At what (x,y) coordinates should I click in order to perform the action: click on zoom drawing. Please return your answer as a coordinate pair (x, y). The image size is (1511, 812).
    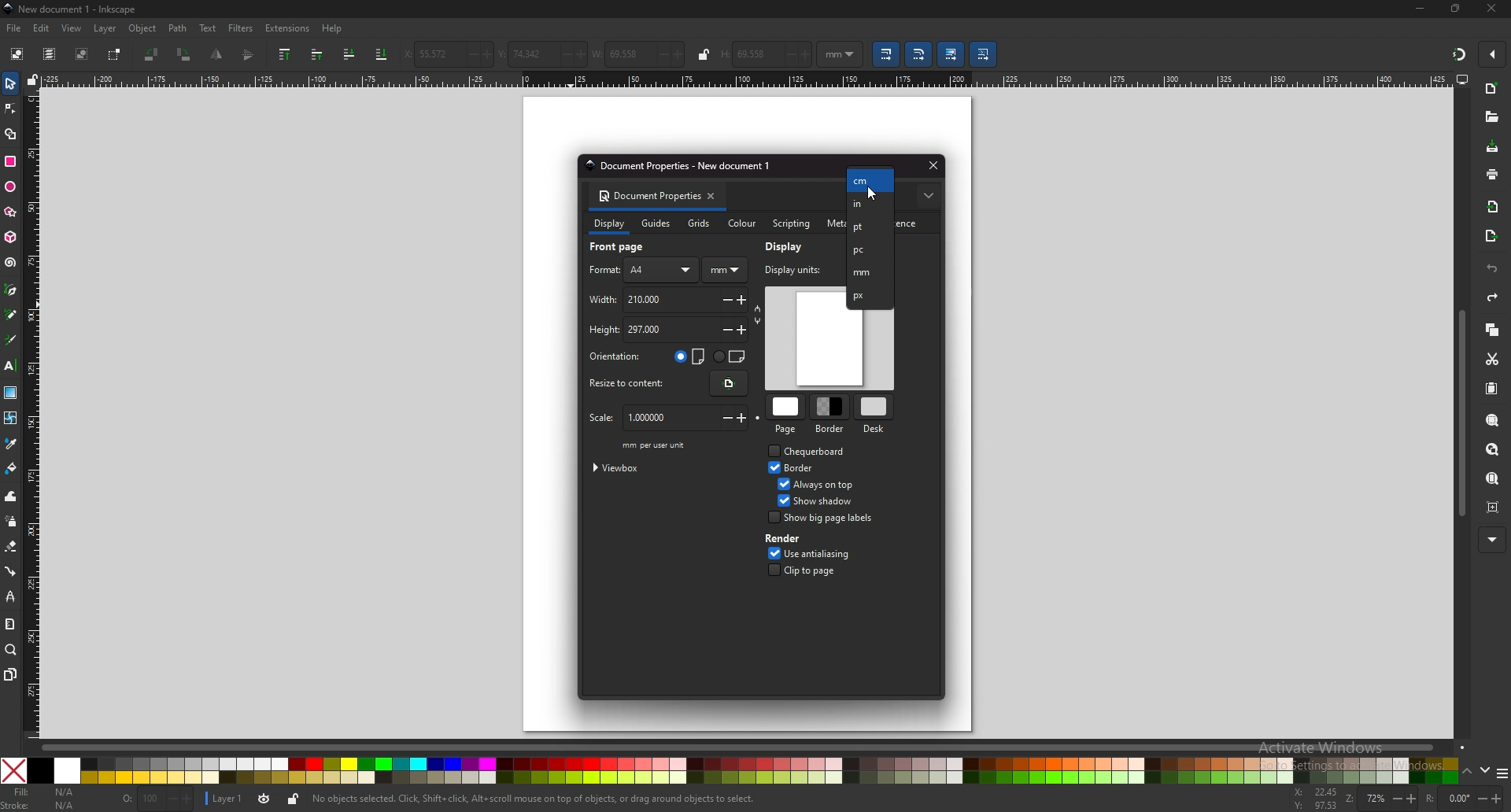
    Looking at the image, I should click on (1493, 449).